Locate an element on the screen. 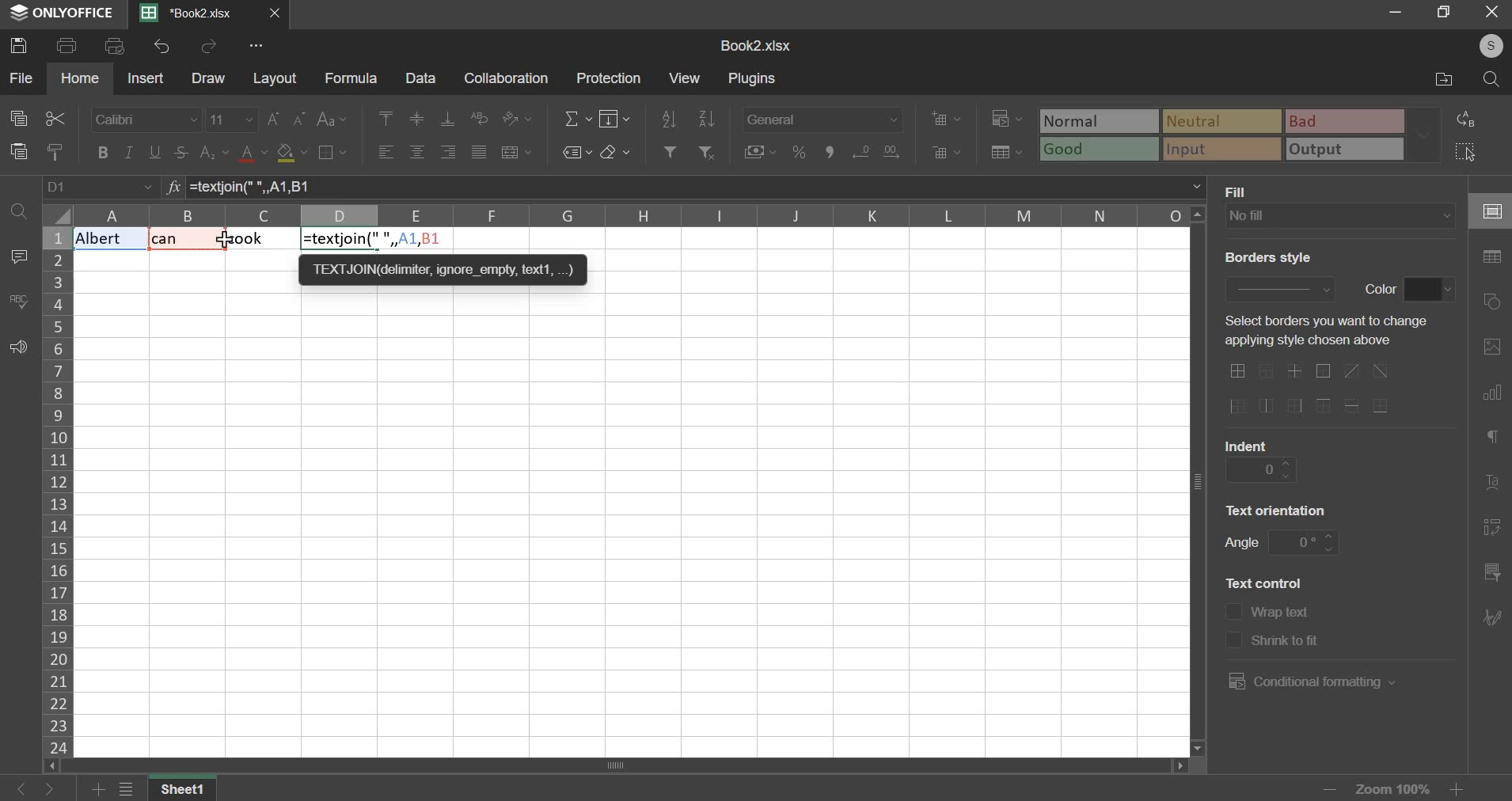  file is located at coordinates (21, 77).